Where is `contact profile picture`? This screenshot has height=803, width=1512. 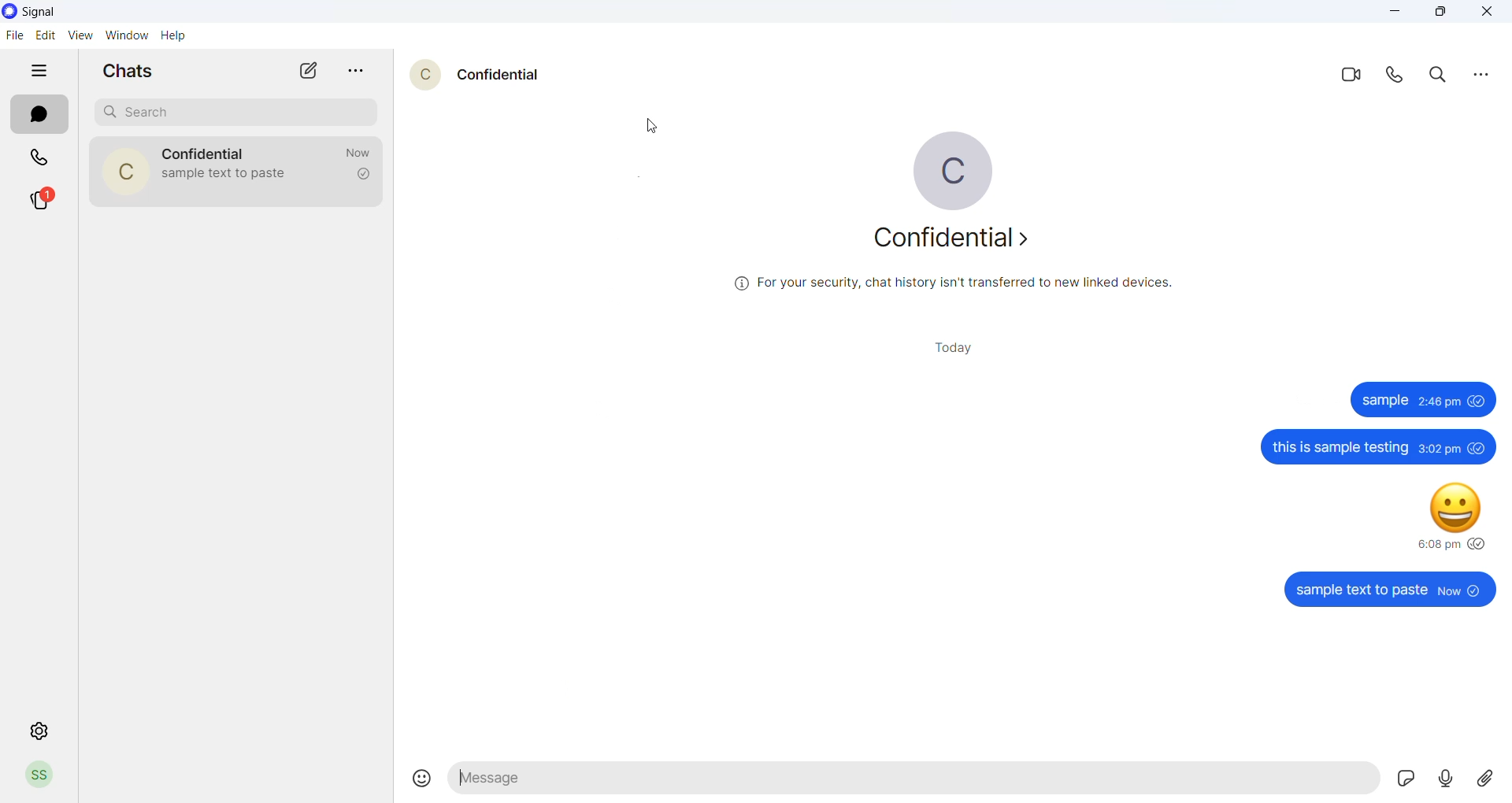
contact profile picture is located at coordinates (428, 79).